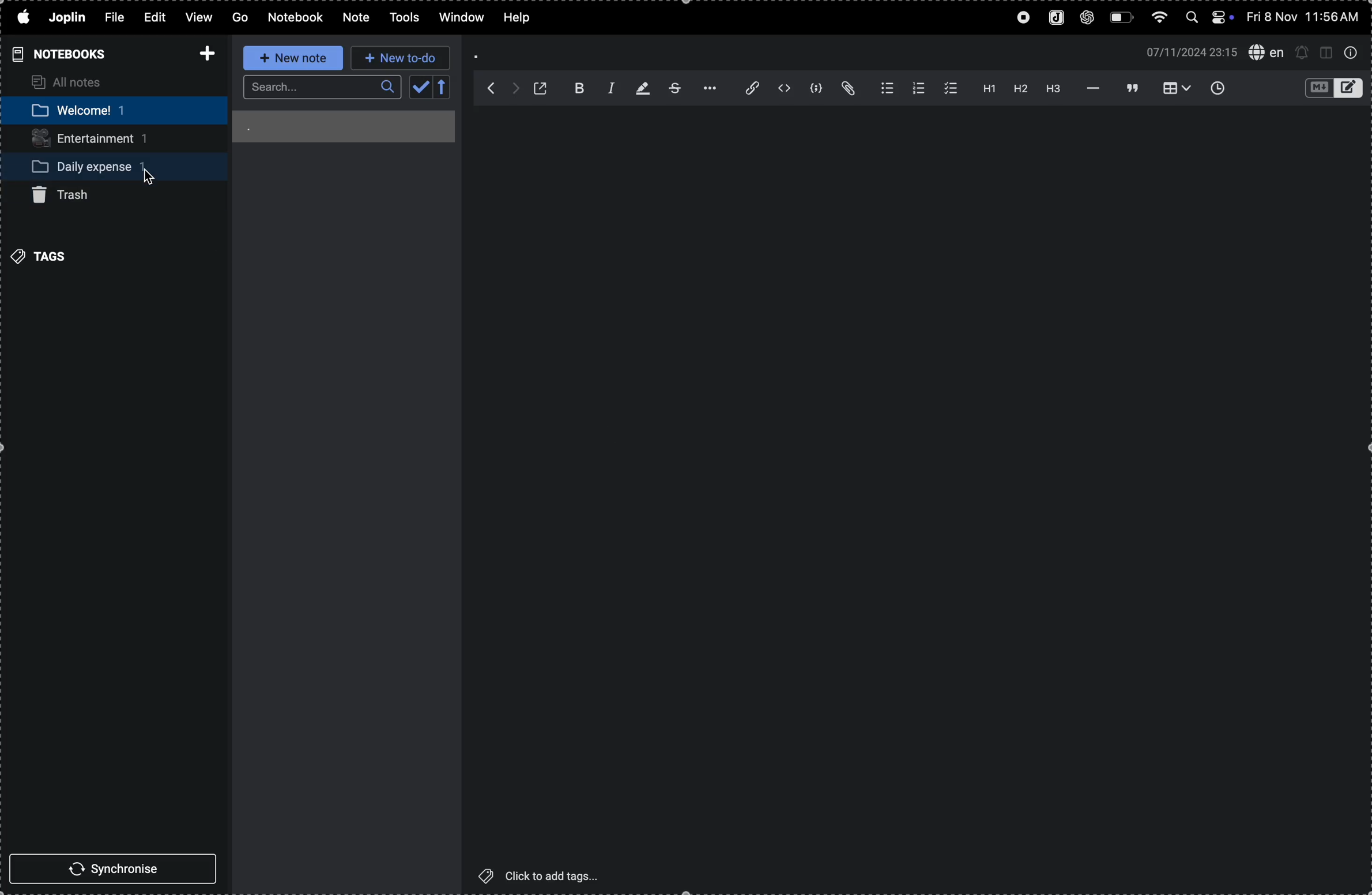 Image resolution: width=1372 pixels, height=895 pixels. What do you see at coordinates (485, 88) in the screenshot?
I see `backward` at bounding box center [485, 88].